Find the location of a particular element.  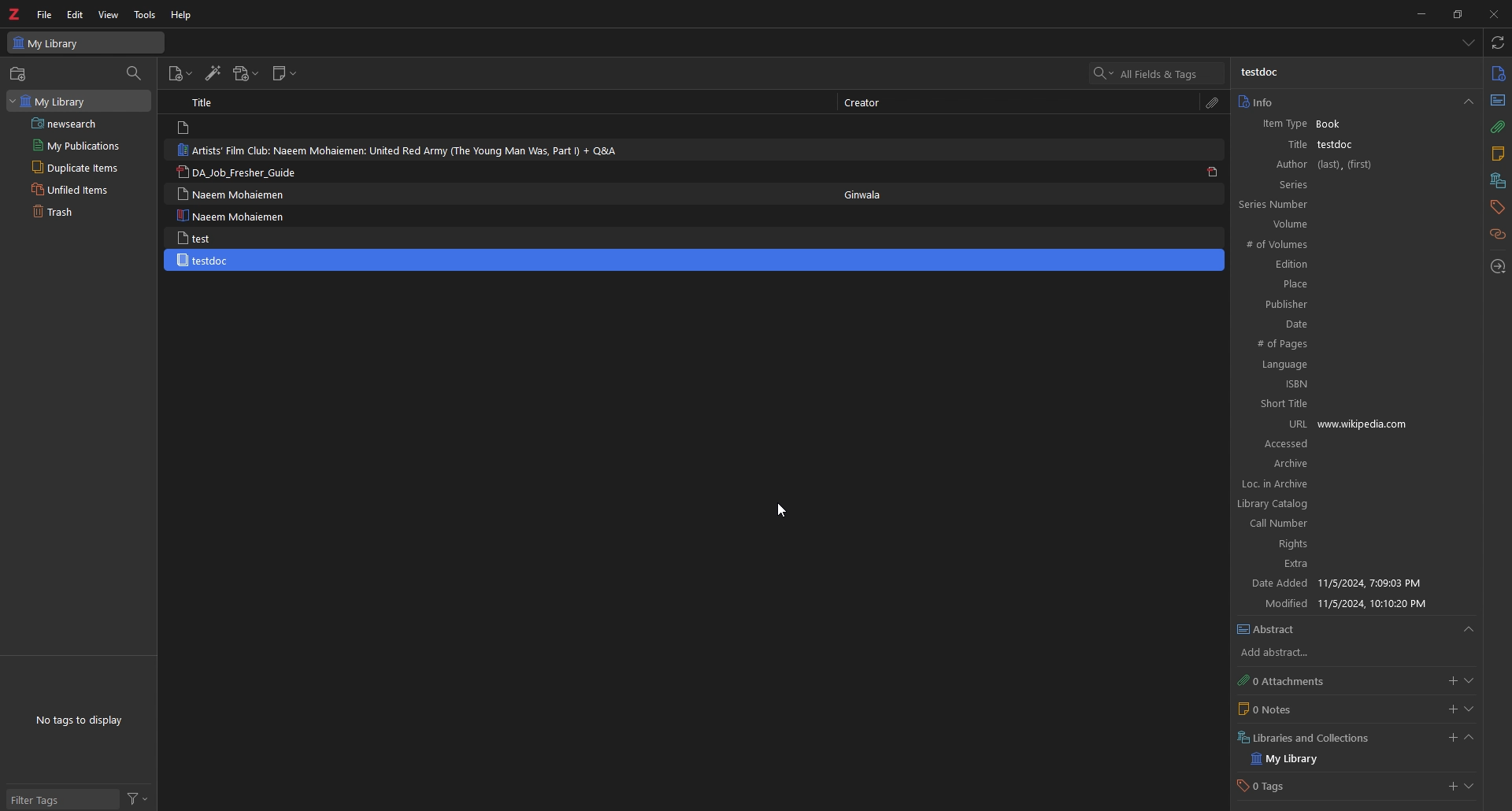

Naeem Mohaiemen is located at coordinates (230, 216).